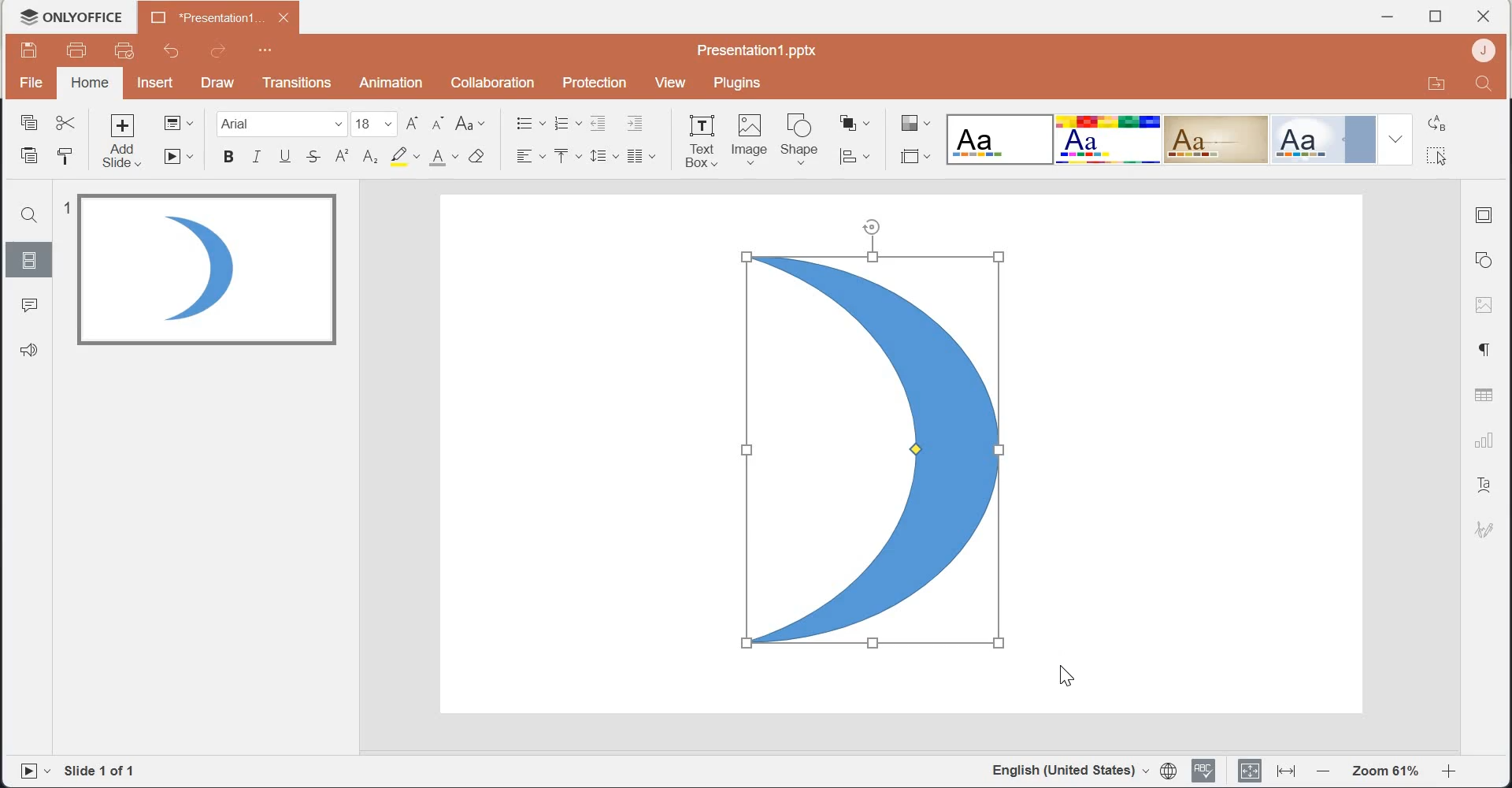 This screenshot has height=788, width=1512. Describe the element at coordinates (566, 122) in the screenshot. I see `Numbering` at that location.